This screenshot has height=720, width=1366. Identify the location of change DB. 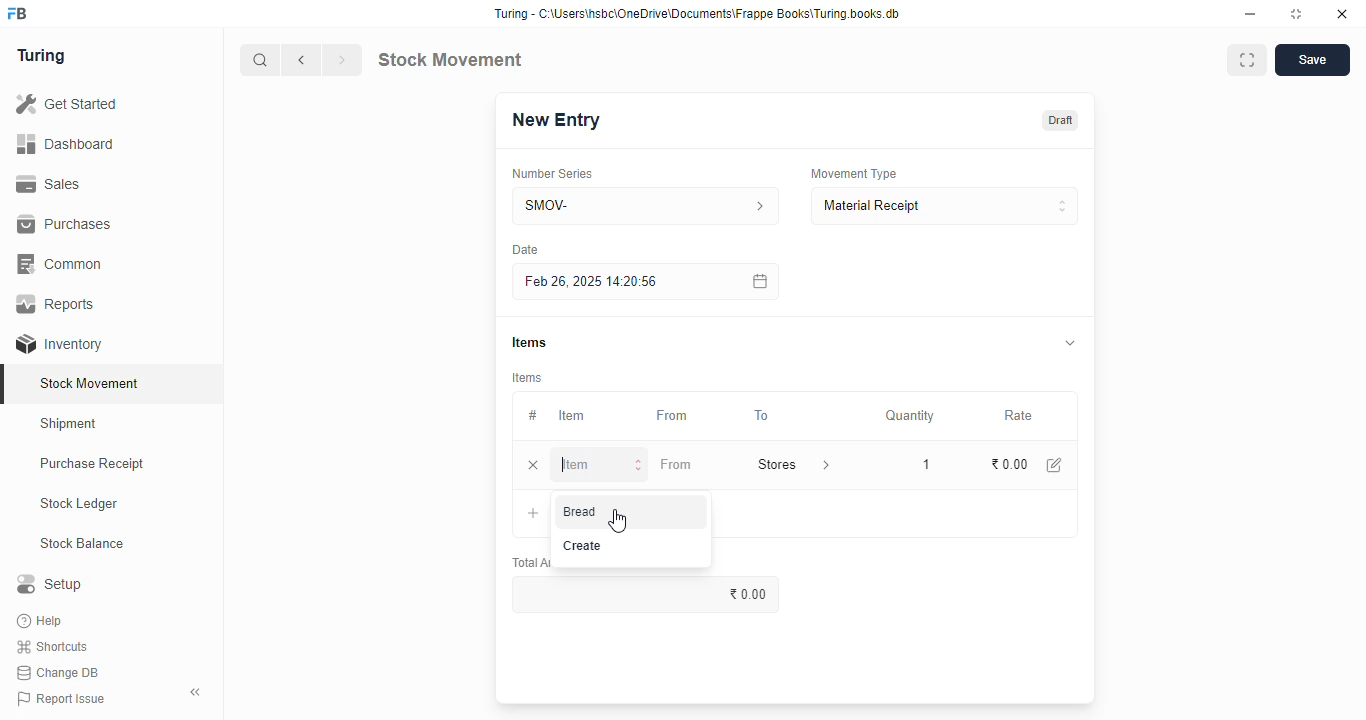
(58, 673).